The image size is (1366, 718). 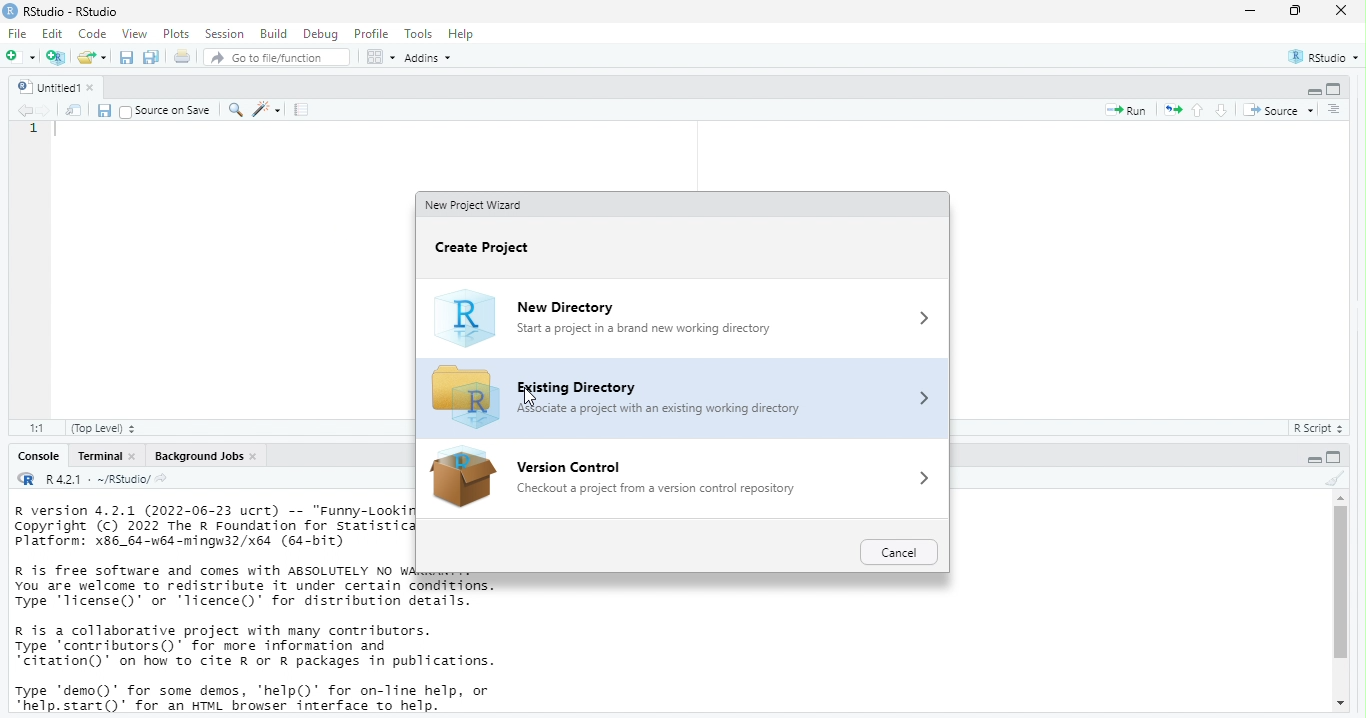 I want to click on icon for existing directory, so click(x=457, y=395).